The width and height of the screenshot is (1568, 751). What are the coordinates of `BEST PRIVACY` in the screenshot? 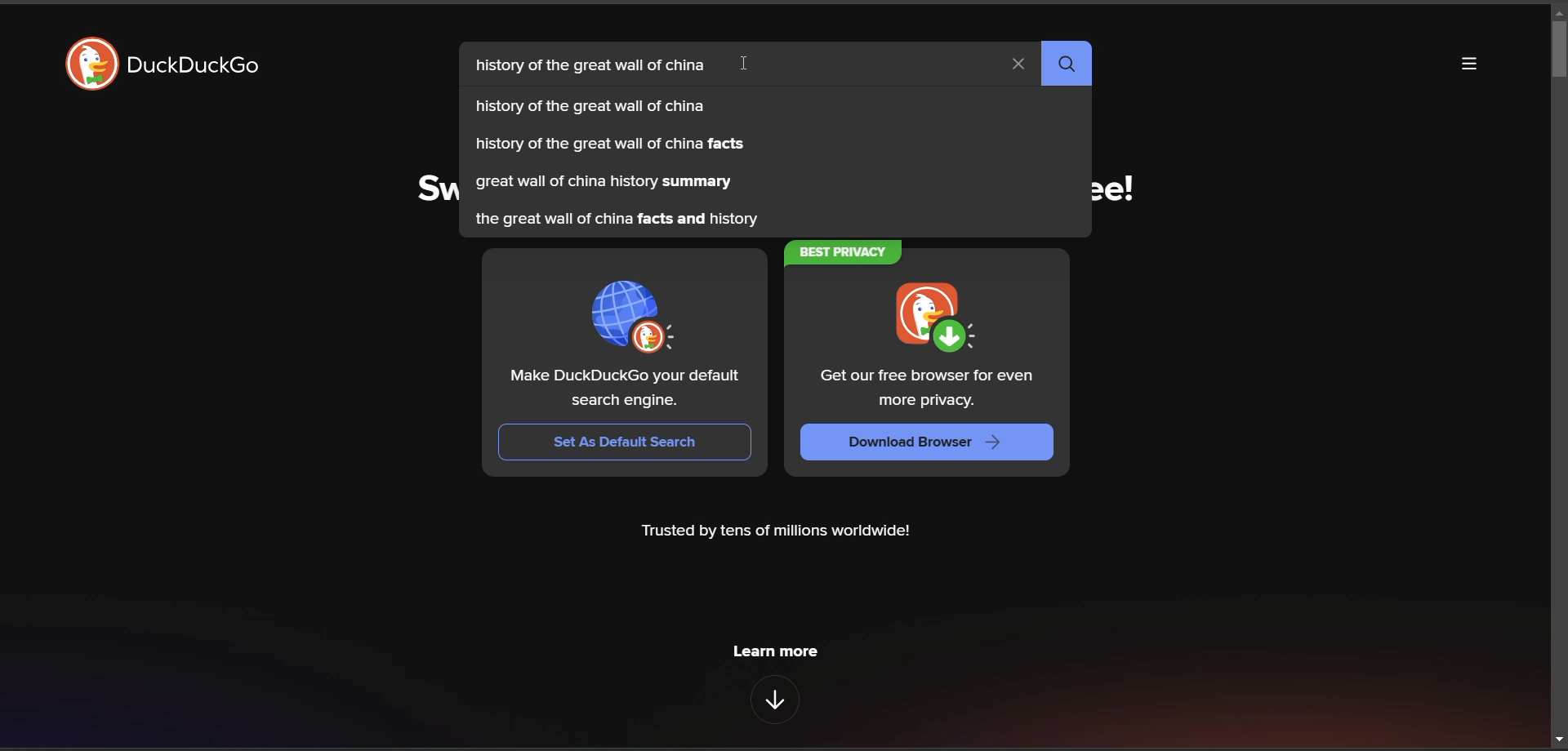 It's located at (846, 255).